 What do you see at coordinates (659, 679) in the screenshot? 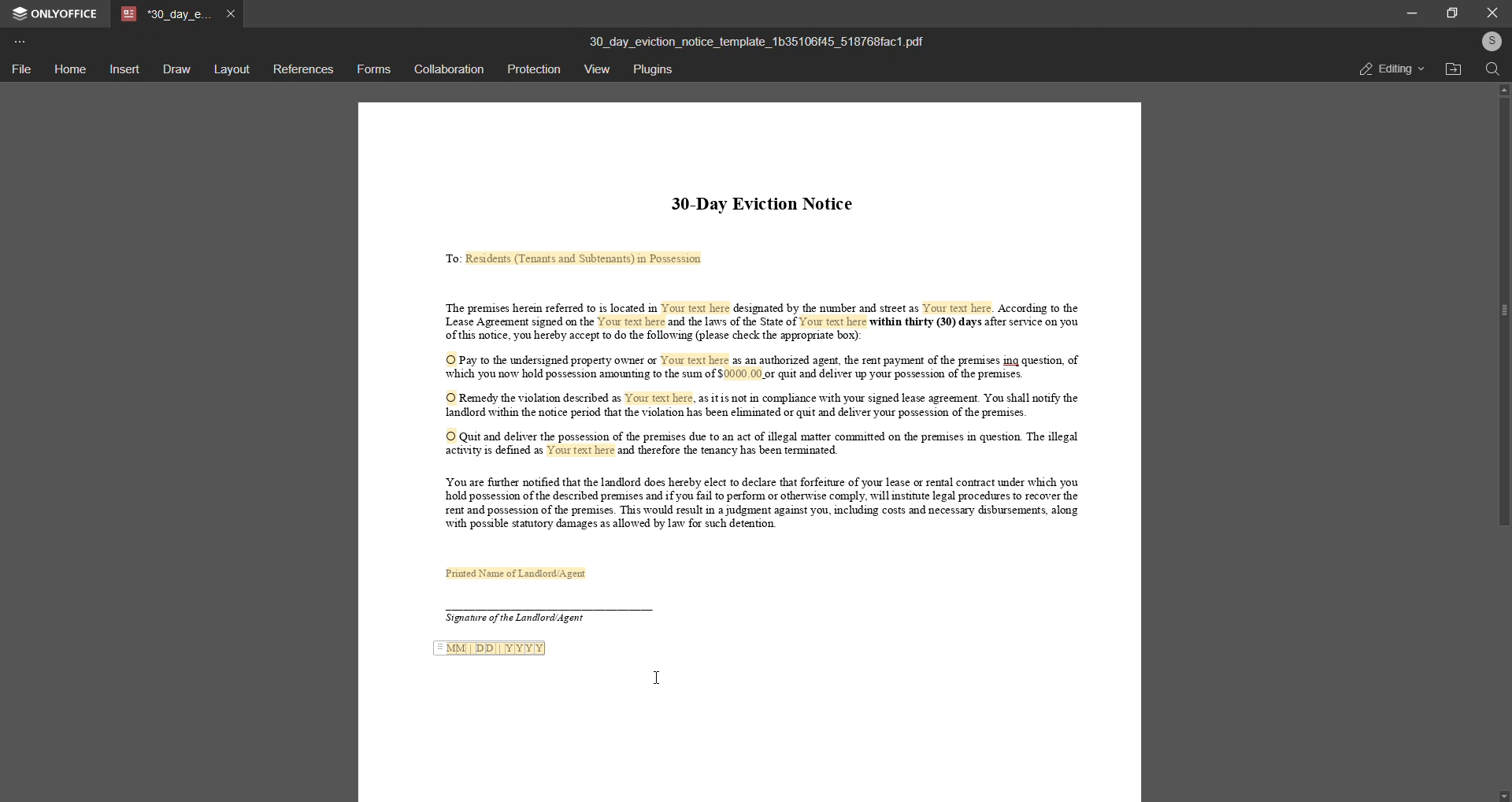
I see `Text cursor` at bounding box center [659, 679].